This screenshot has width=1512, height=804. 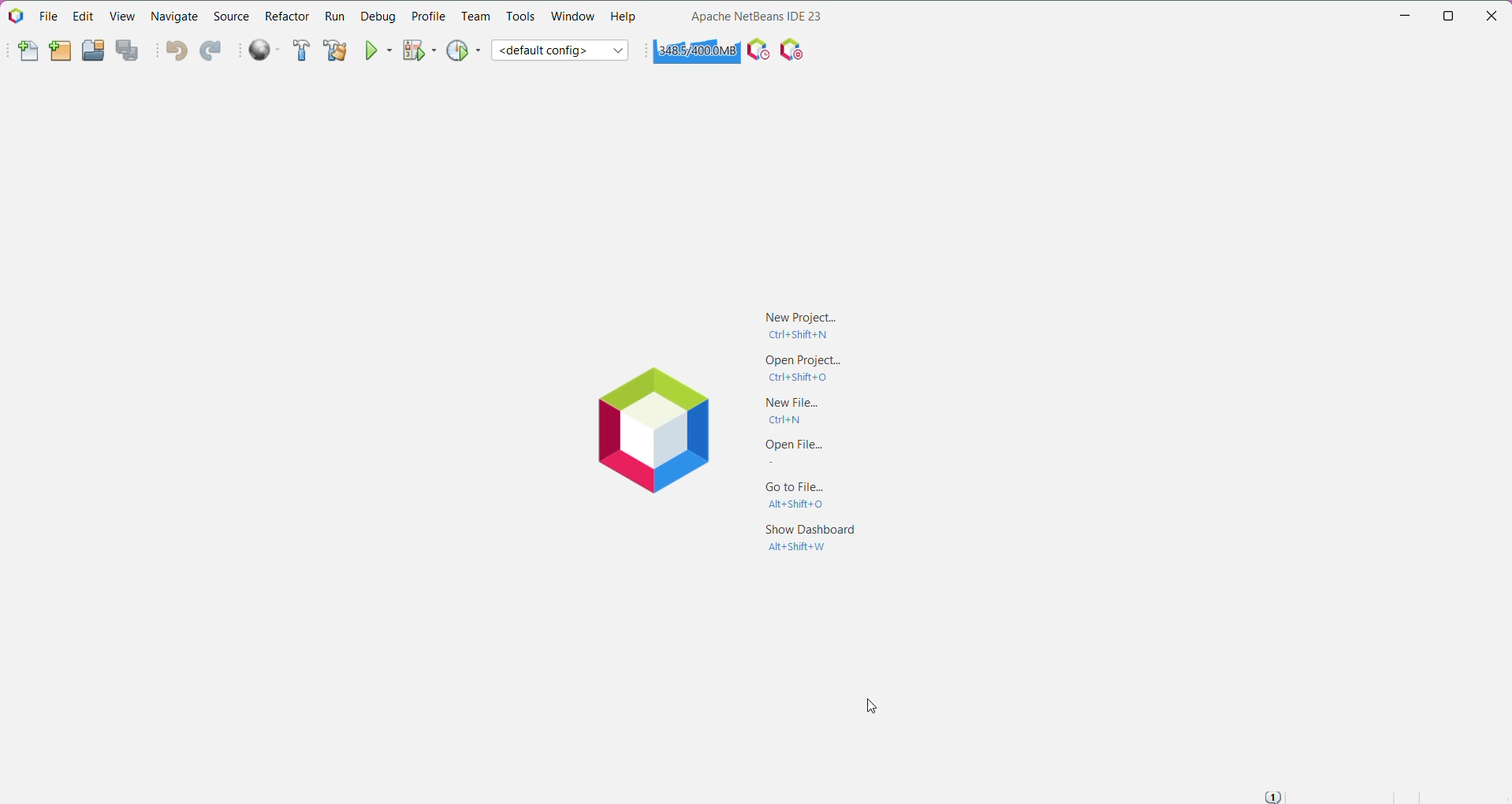 I want to click on Debug, so click(x=377, y=16).